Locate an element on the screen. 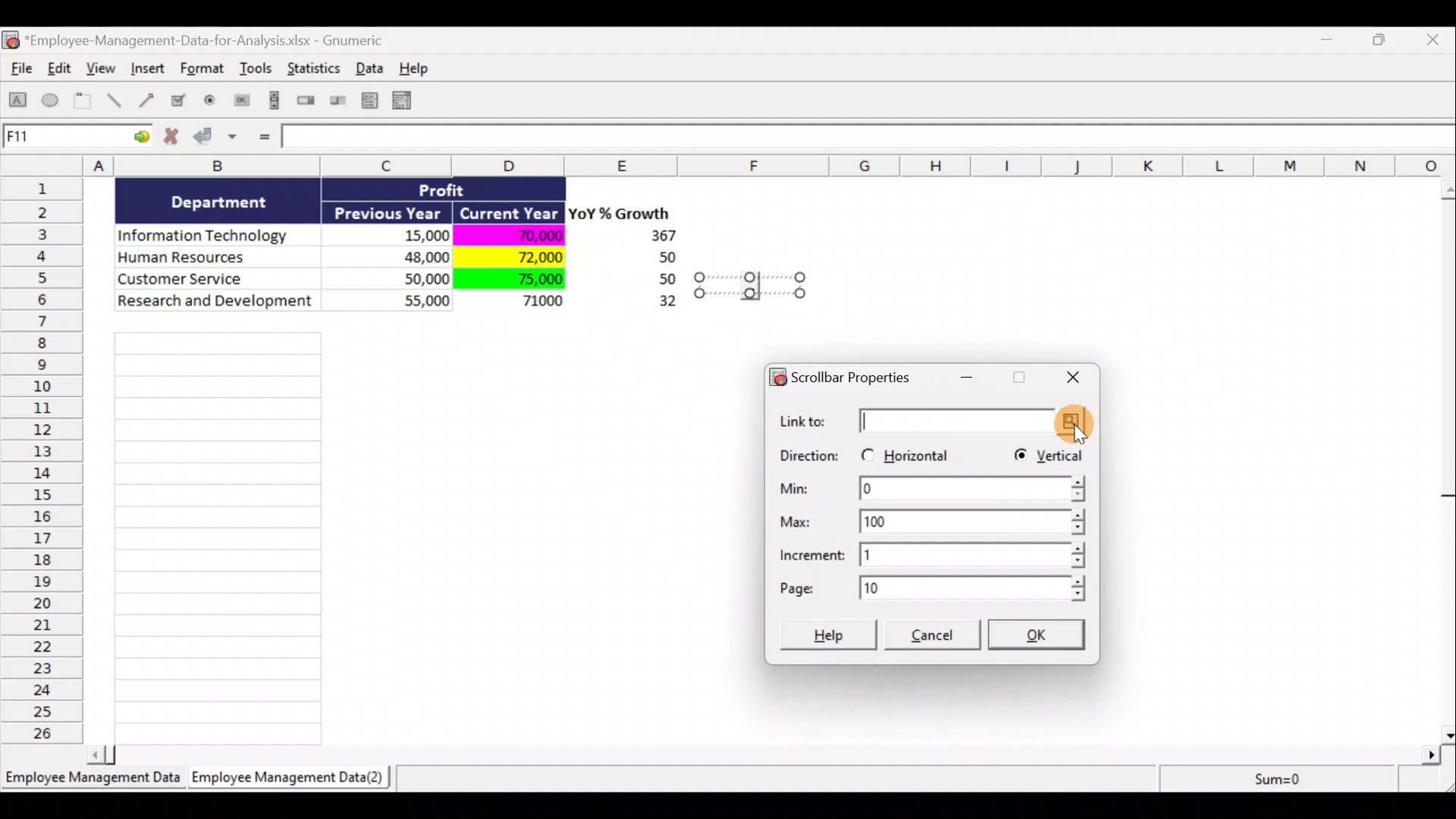  Create an arrow object is located at coordinates (146, 99).